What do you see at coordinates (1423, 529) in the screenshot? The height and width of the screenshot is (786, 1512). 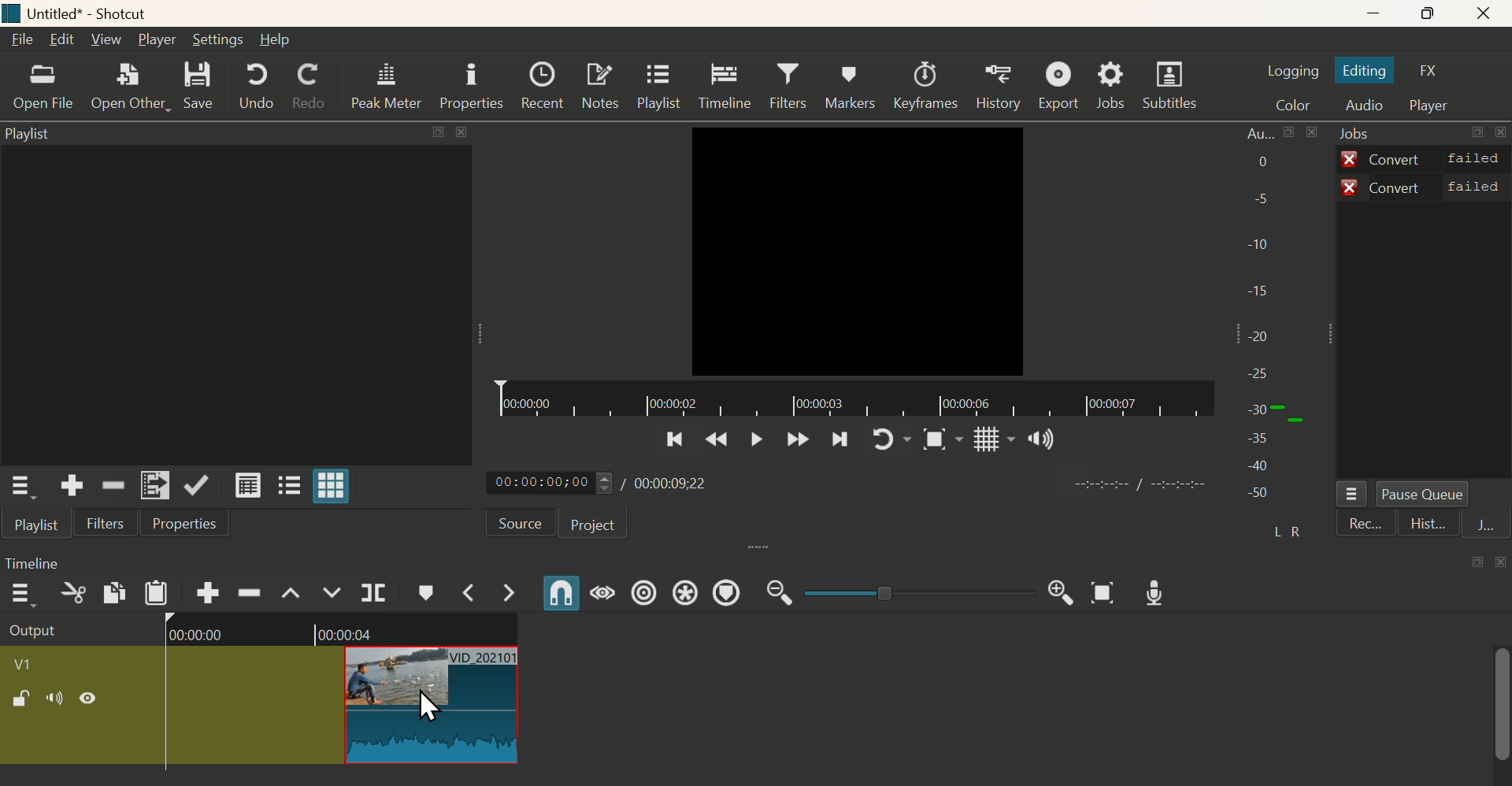 I see `` at bounding box center [1423, 529].